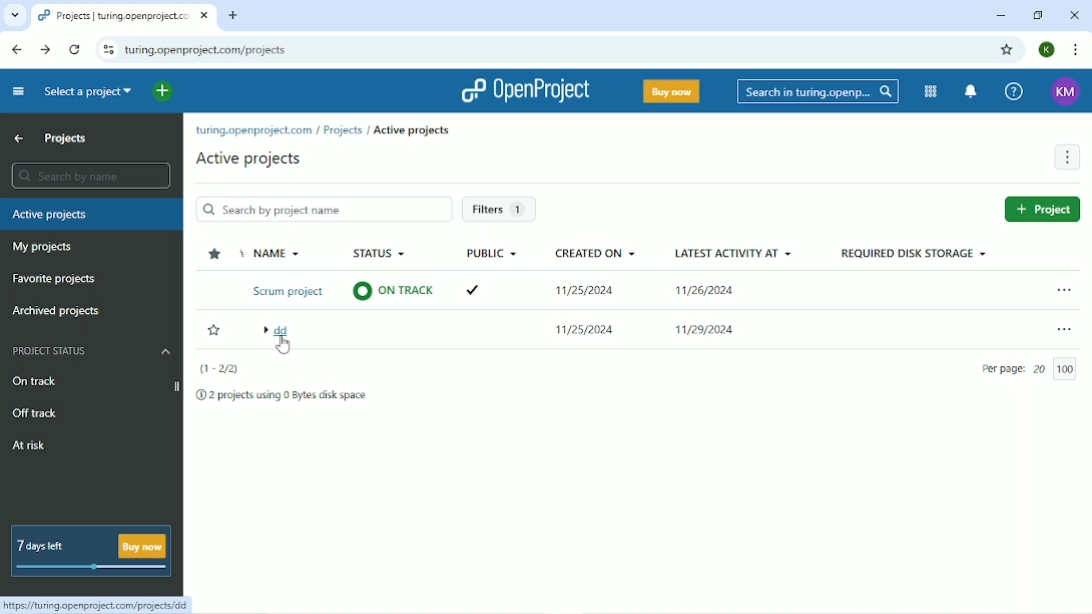 The width and height of the screenshot is (1092, 614). I want to click on Search by project name, so click(323, 209).